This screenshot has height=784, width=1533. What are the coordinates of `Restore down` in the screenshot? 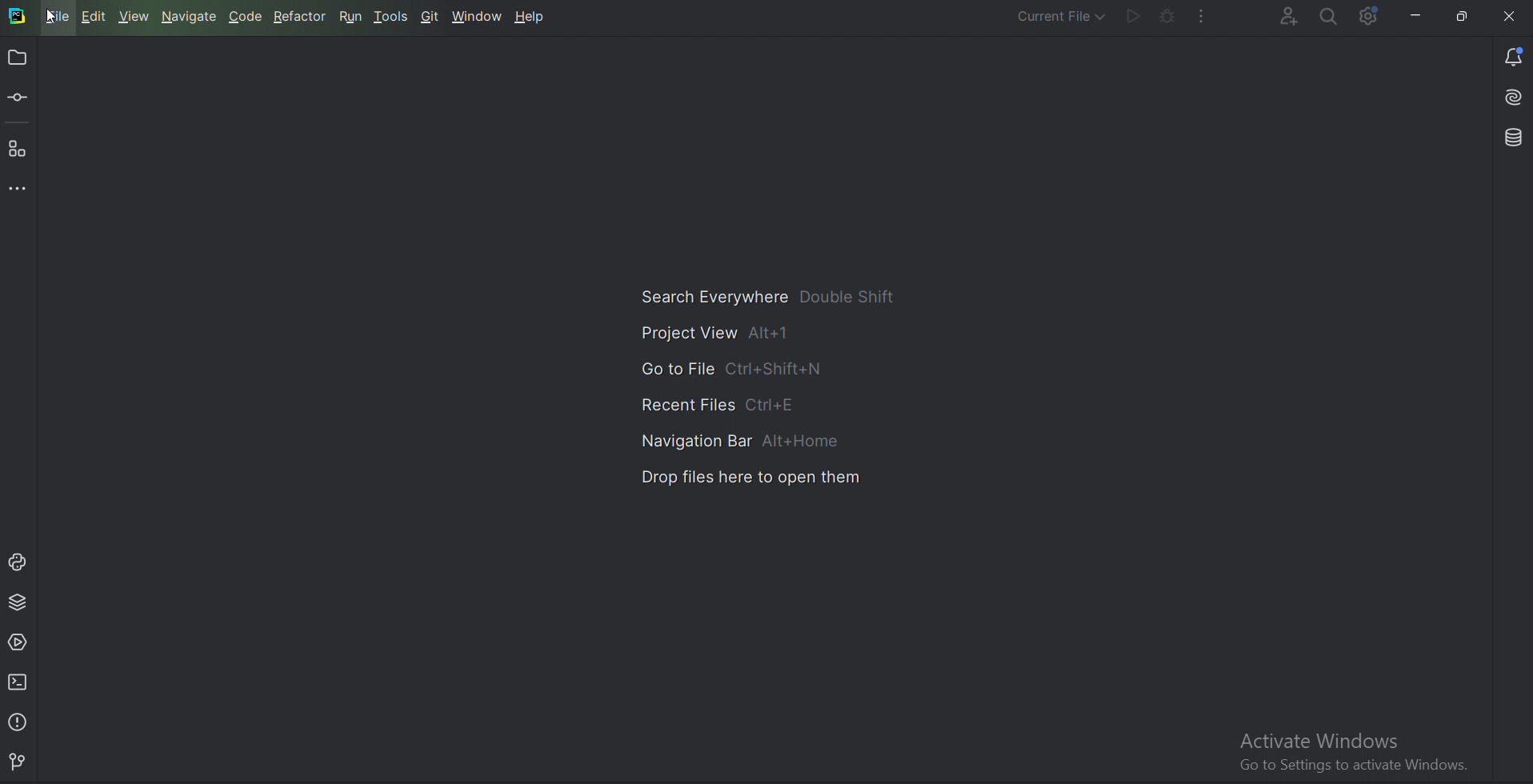 It's located at (1463, 13).